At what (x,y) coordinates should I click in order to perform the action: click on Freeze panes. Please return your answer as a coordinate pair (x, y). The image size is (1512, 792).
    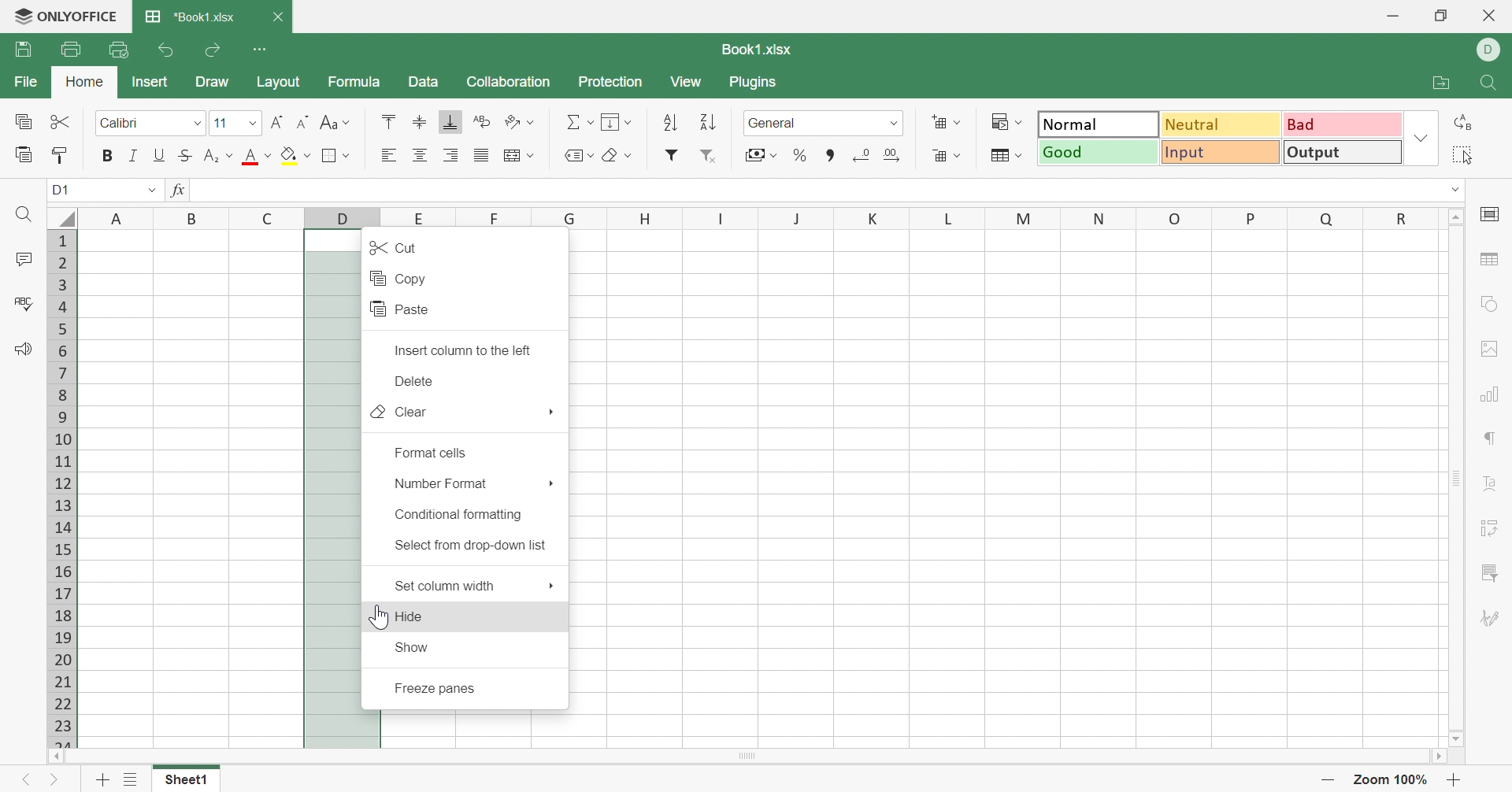
    Looking at the image, I should click on (437, 688).